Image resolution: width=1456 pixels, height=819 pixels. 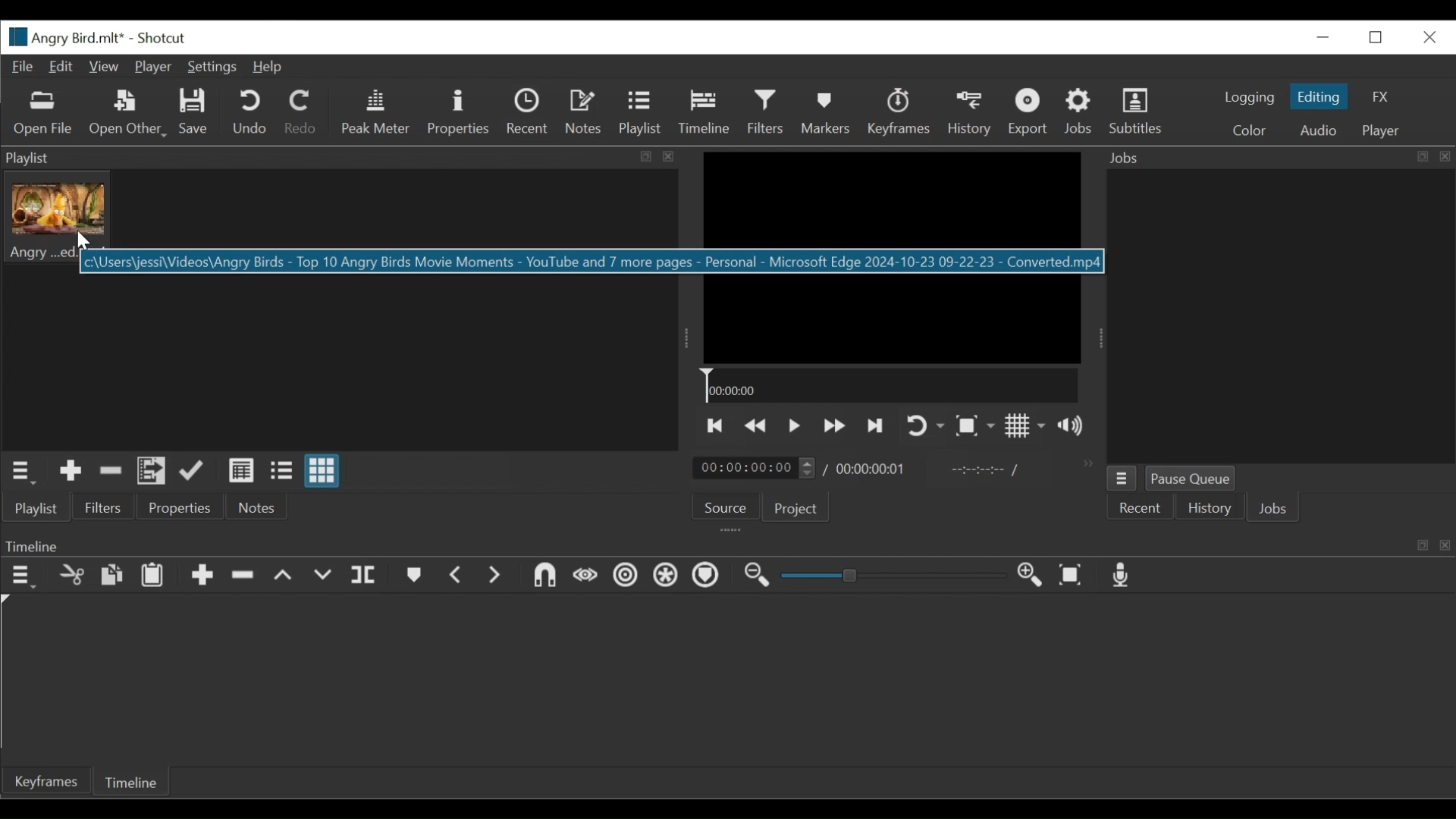 What do you see at coordinates (240, 471) in the screenshot?
I see `View as detail` at bounding box center [240, 471].